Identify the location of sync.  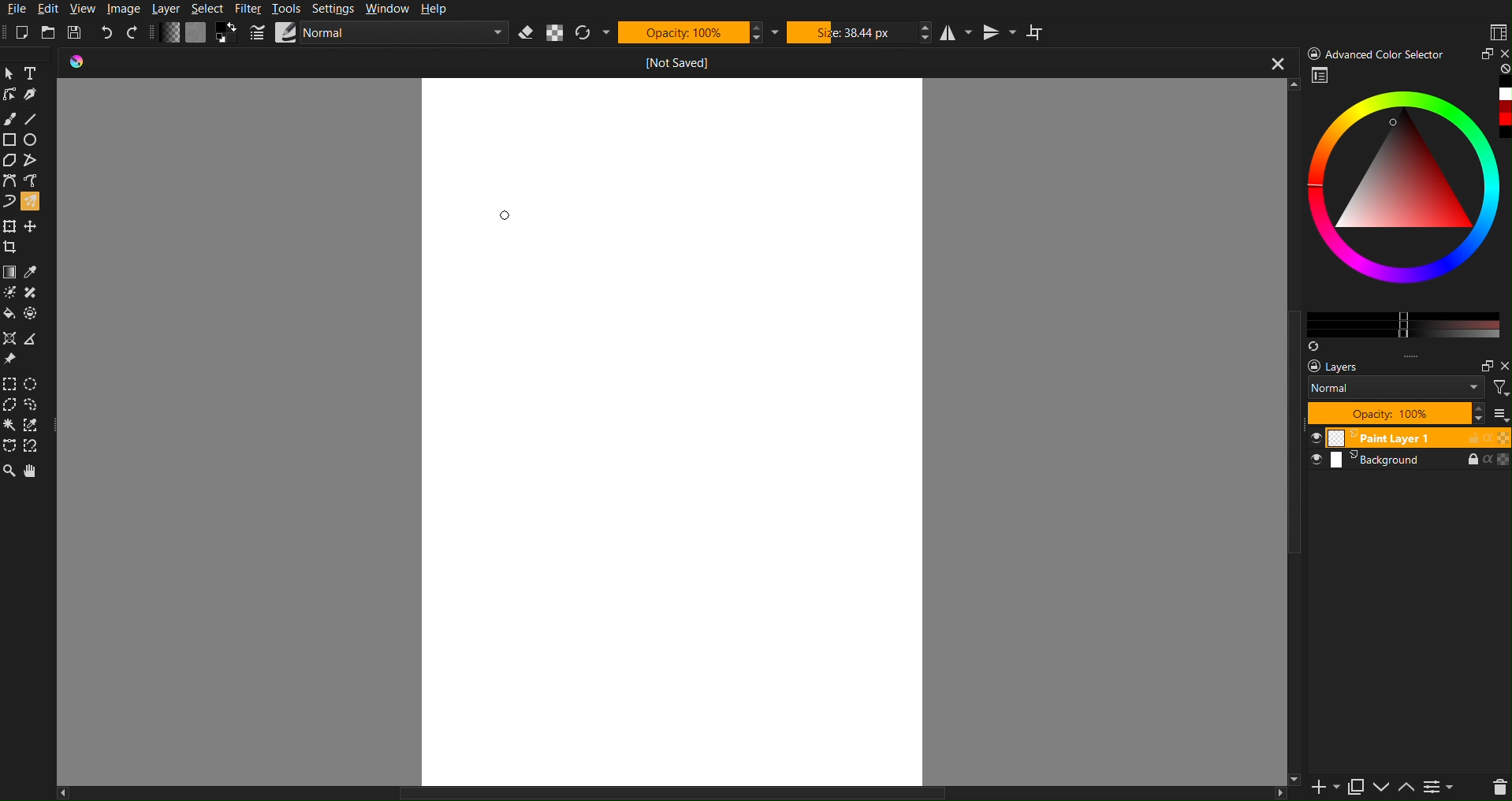
(1313, 343).